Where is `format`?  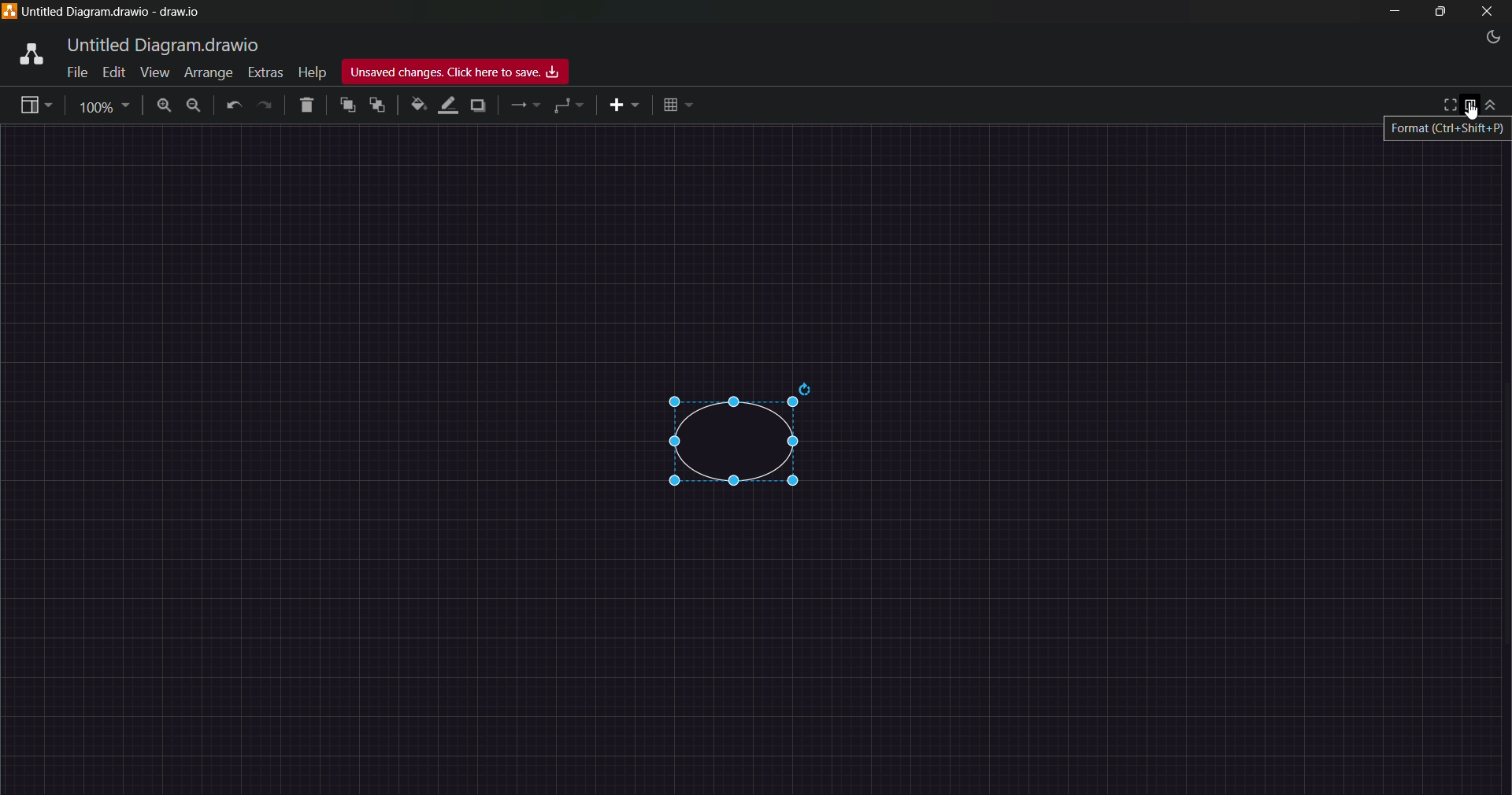 format is located at coordinates (1450, 130).